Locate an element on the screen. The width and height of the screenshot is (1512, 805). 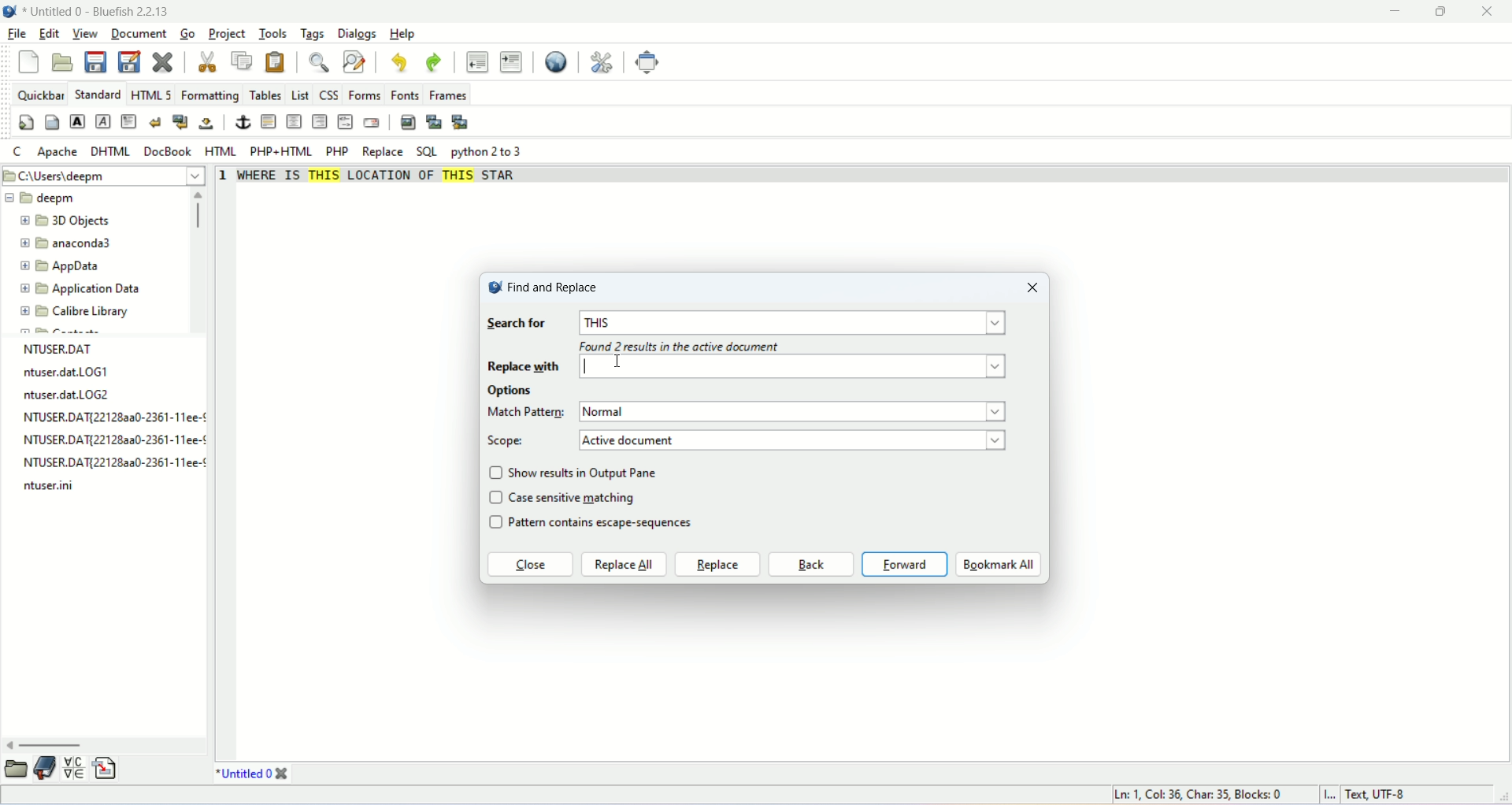
scroll bar is located at coordinates (201, 259).